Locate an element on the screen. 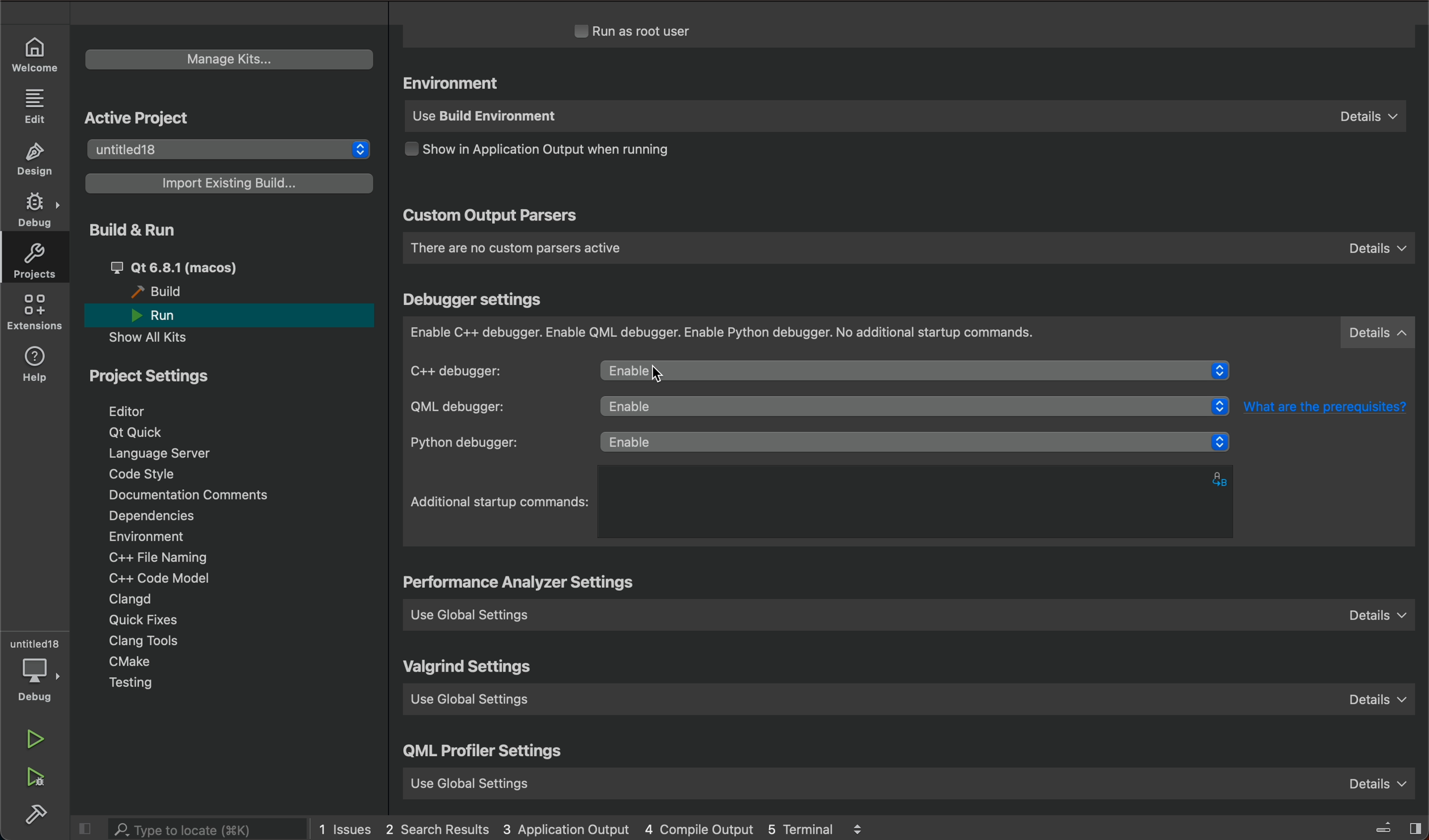  use build  is located at coordinates (902, 118).